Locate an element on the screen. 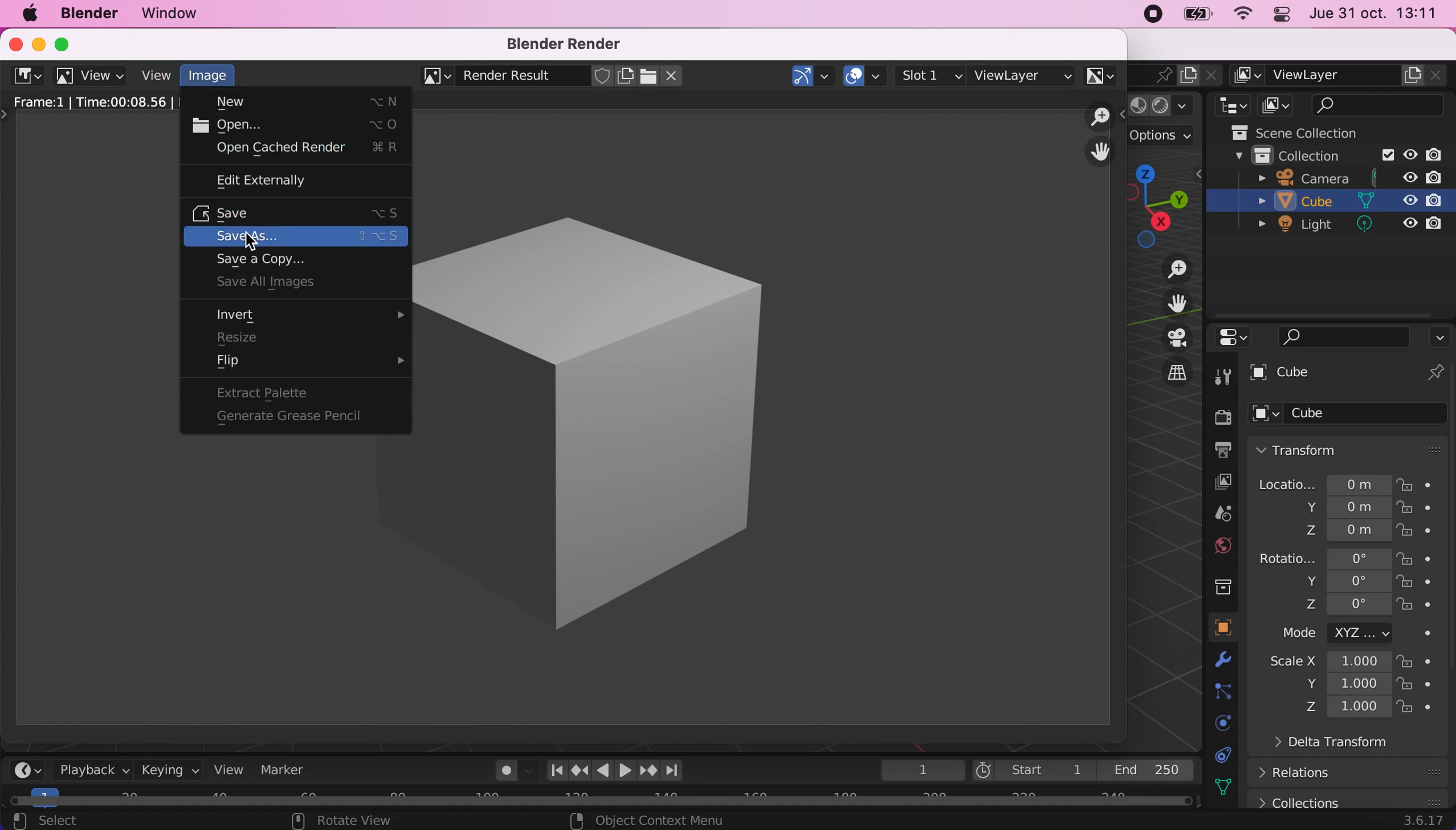  editor type is located at coordinates (27, 770).